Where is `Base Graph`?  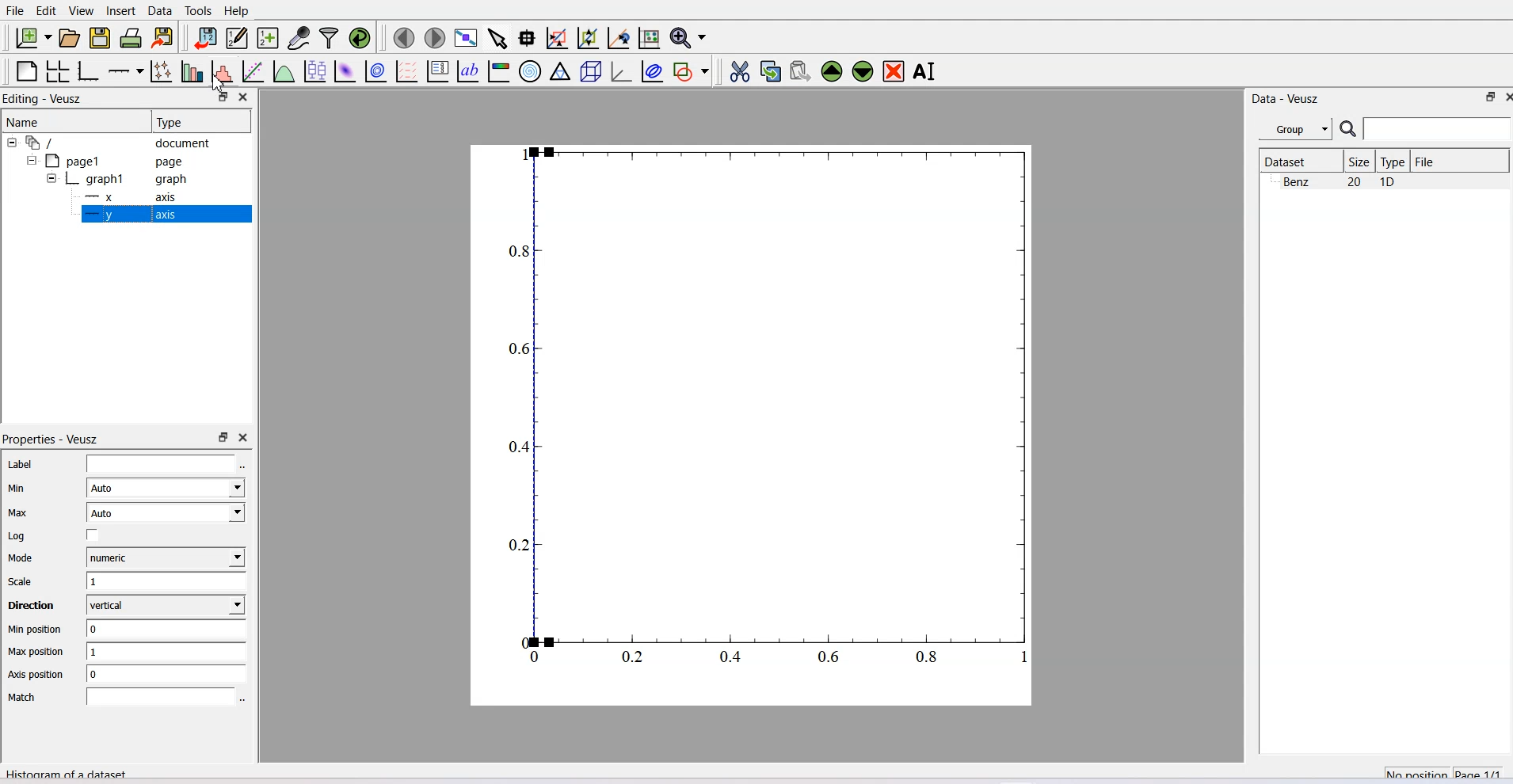 Base Graph is located at coordinates (89, 71).